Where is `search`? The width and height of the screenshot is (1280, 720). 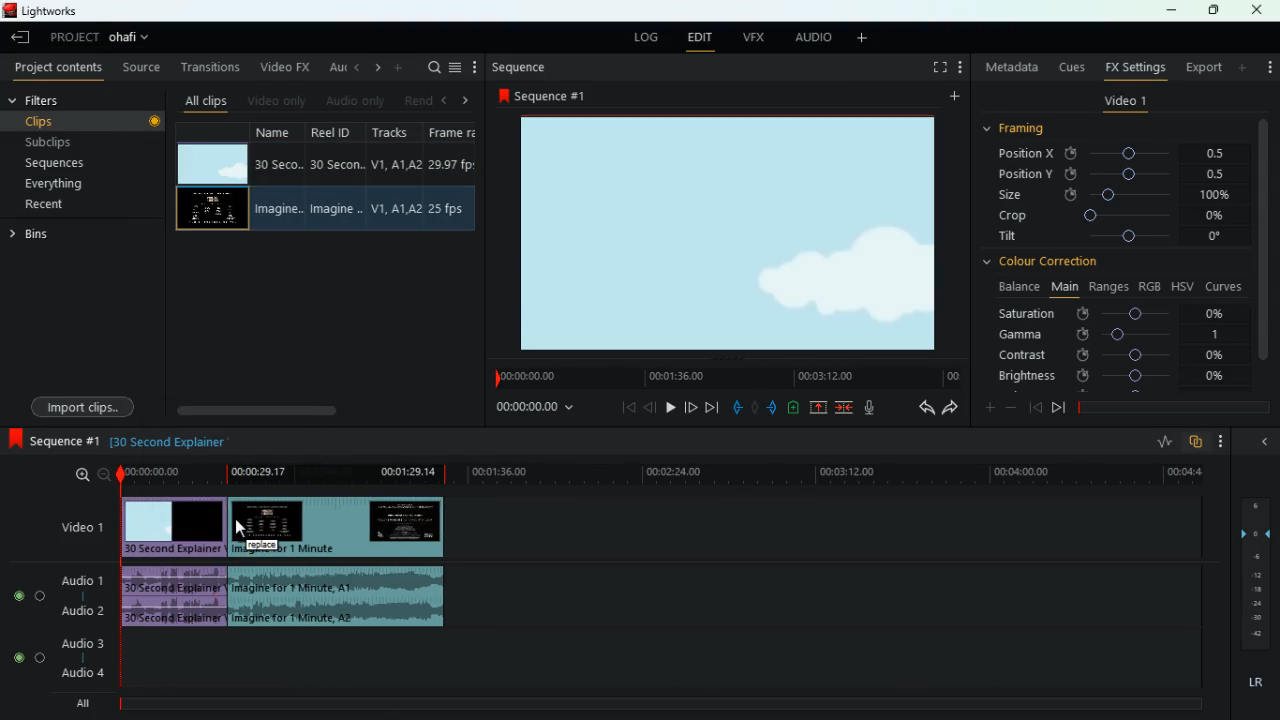
search is located at coordinates (432, 67).